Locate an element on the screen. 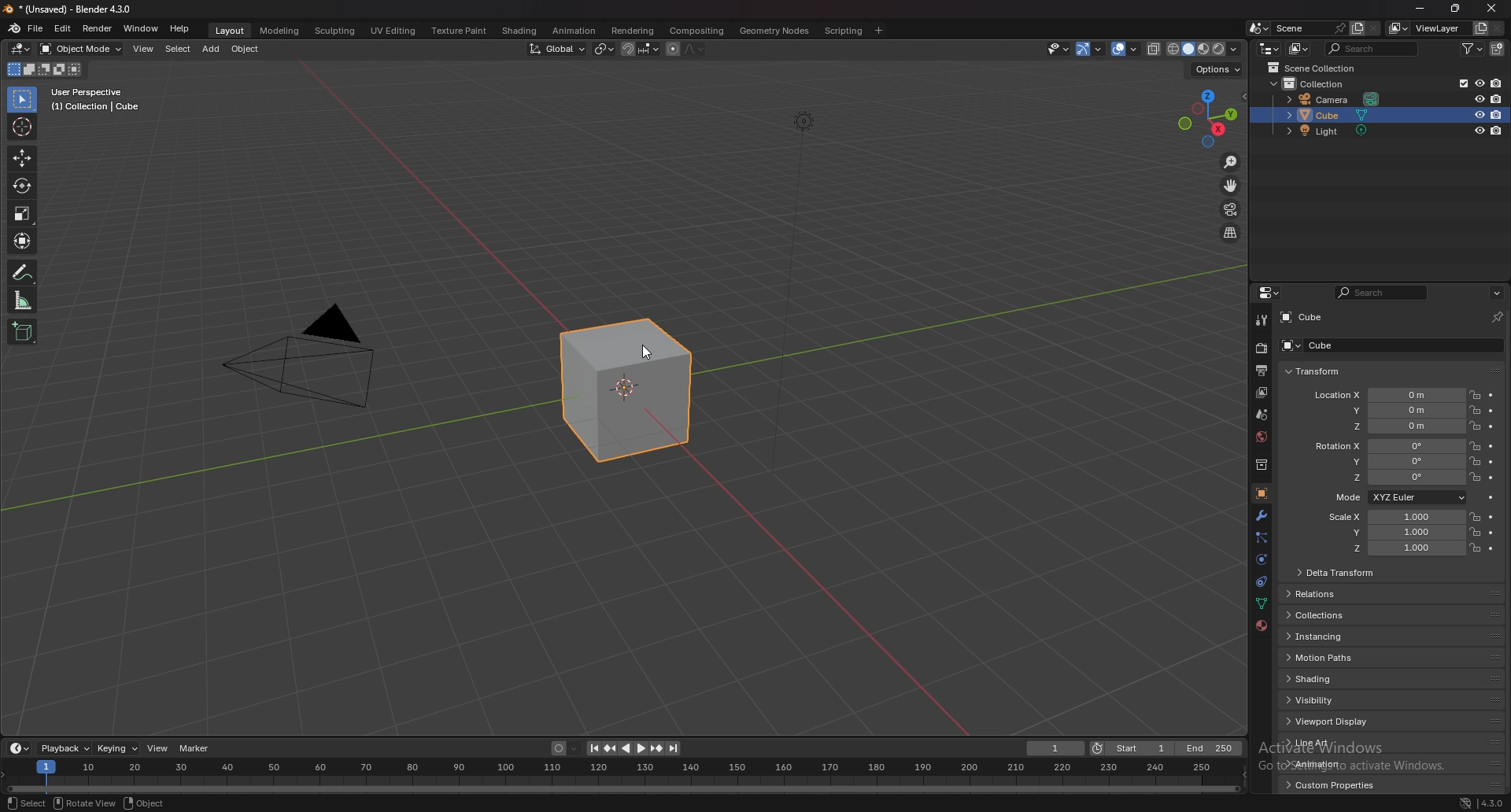 The height and width of the screenshot is (812, 1511). add scene is located at coordinates (1357, 28).